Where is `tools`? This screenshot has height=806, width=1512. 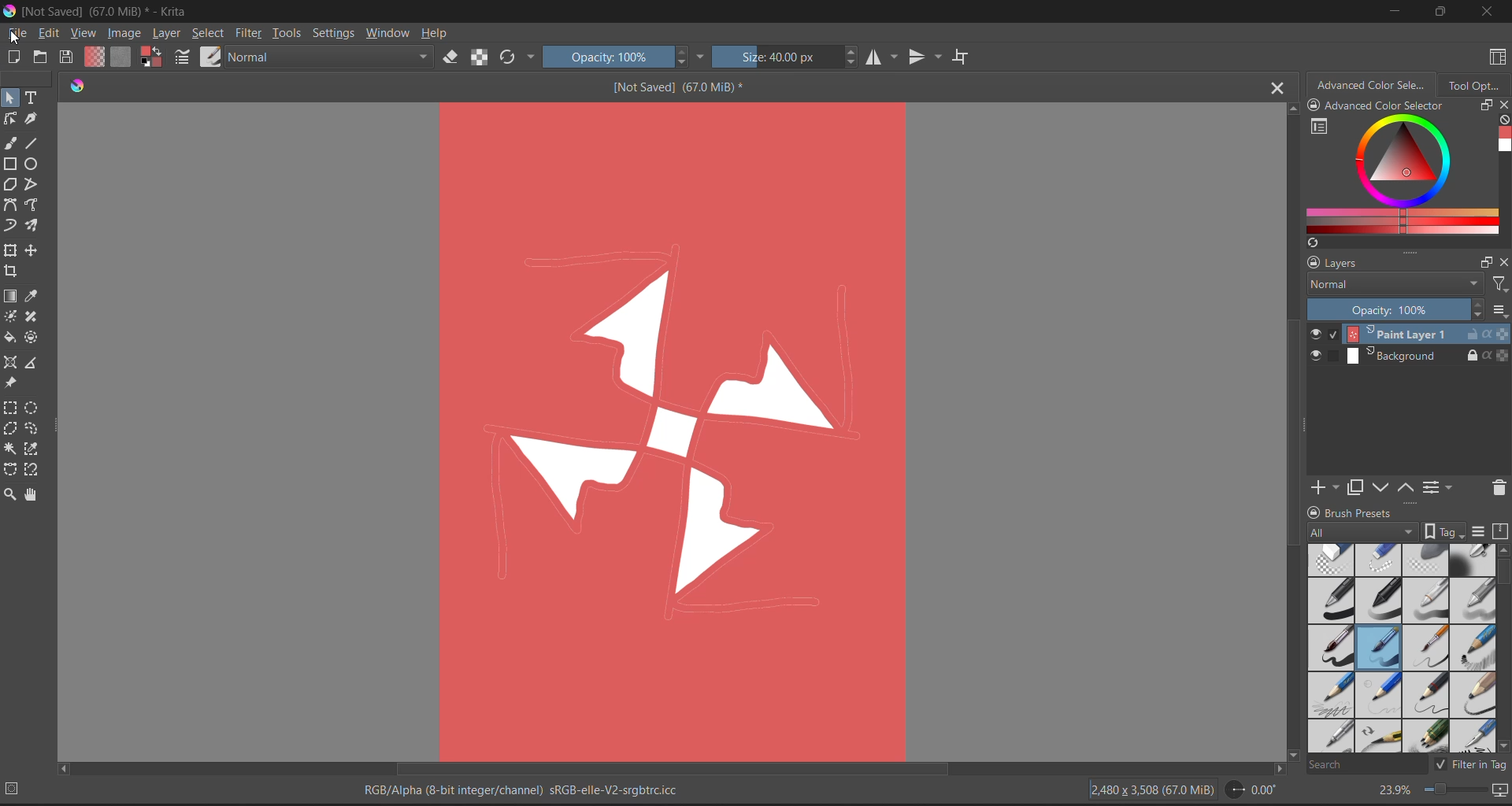
tools is located at coordinates (11, 469).